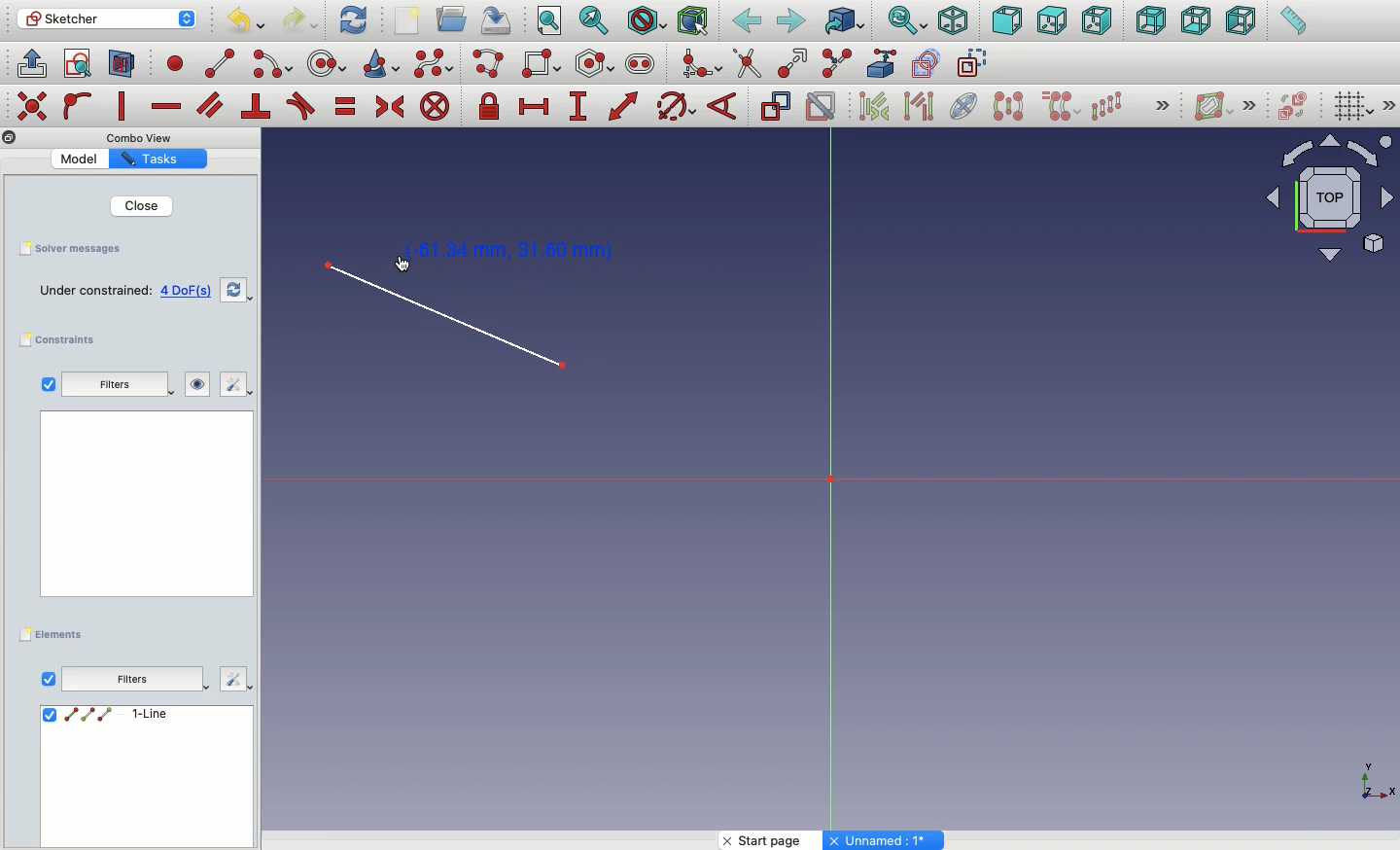 The image size is (1400, 850). I want to click on B-spline, so click(434, 64).